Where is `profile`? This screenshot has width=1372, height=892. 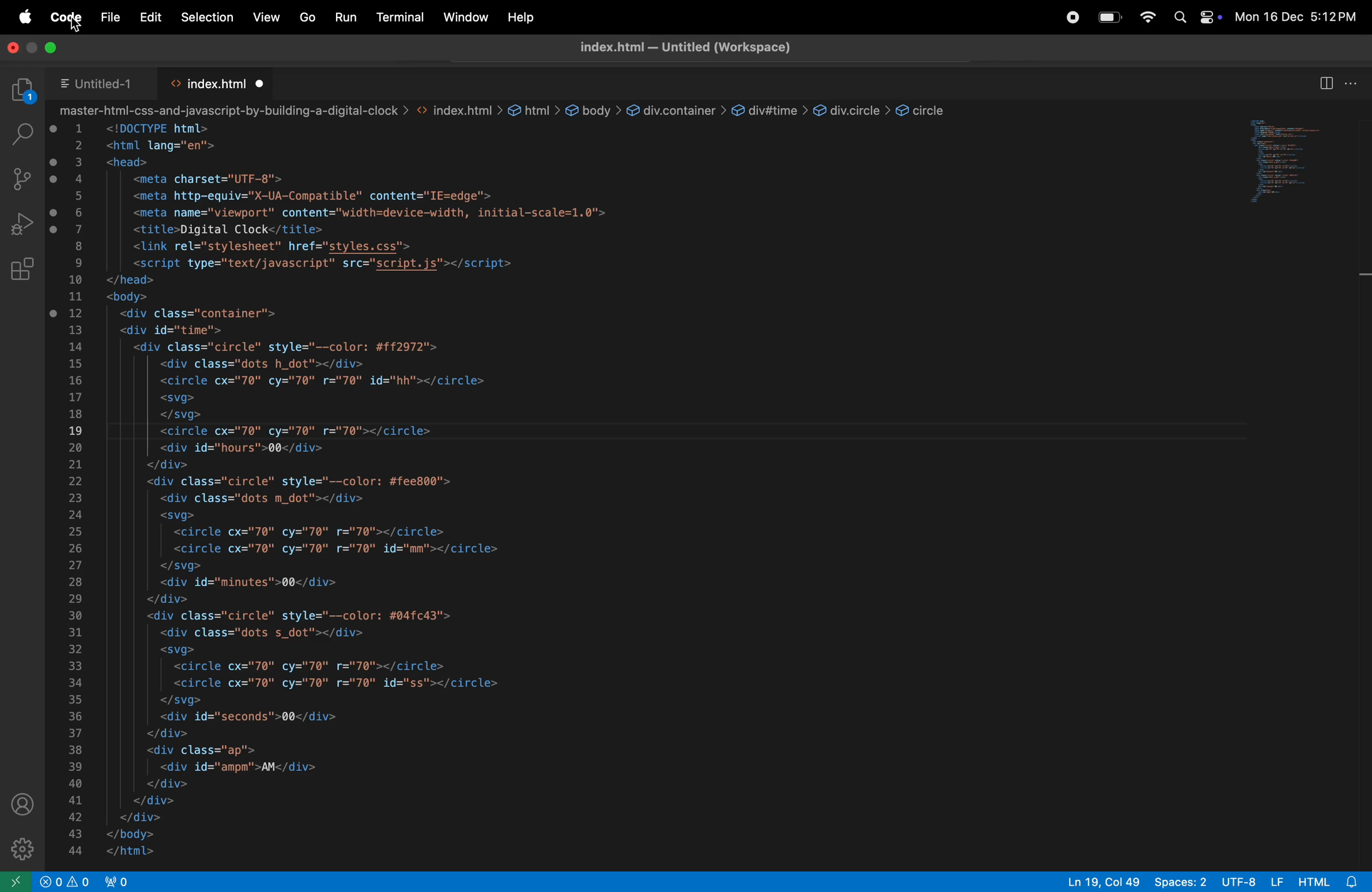
profile is located at coordinates (22, 806).